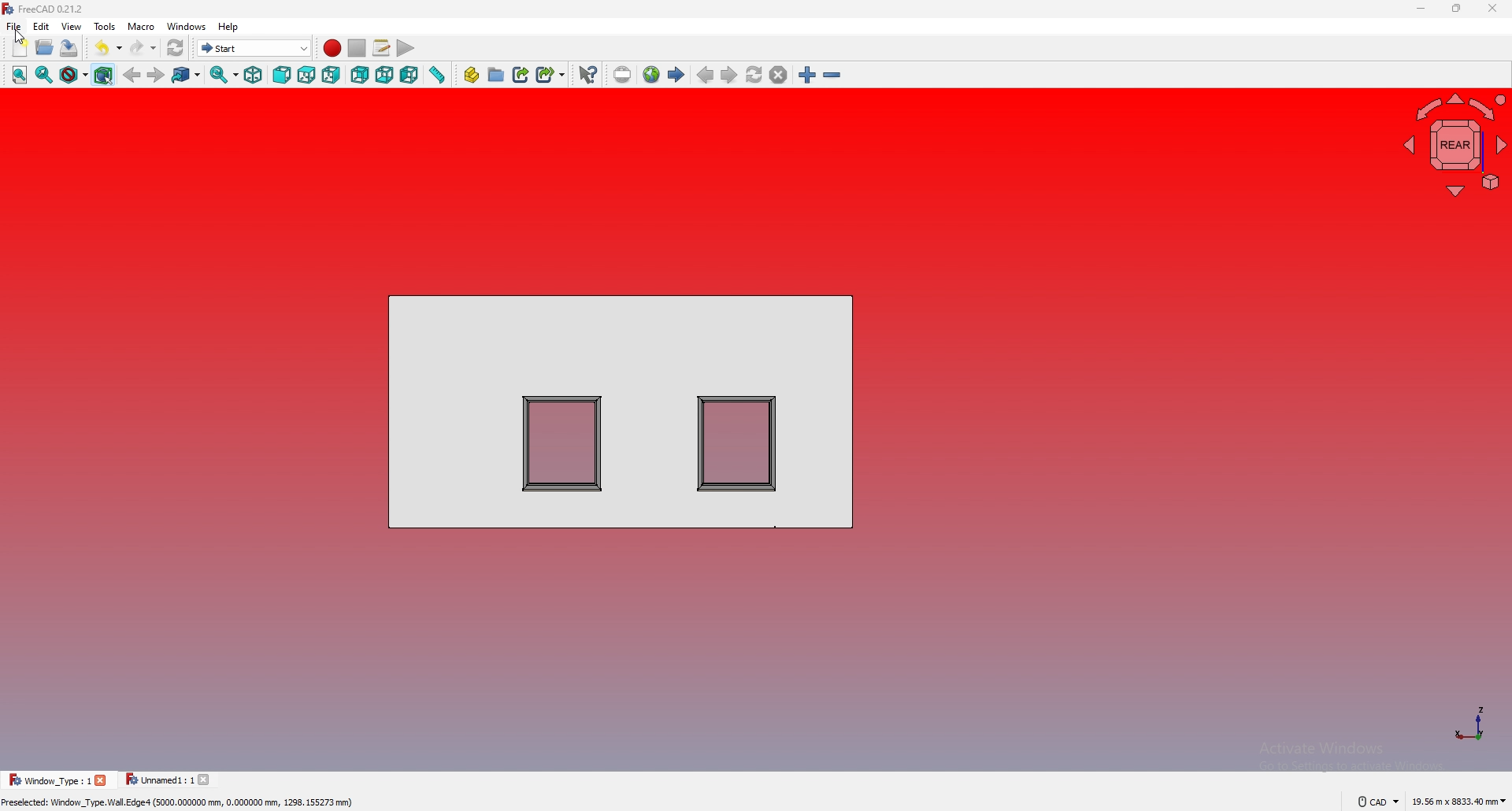  I want to click on save, so click(70, 49).